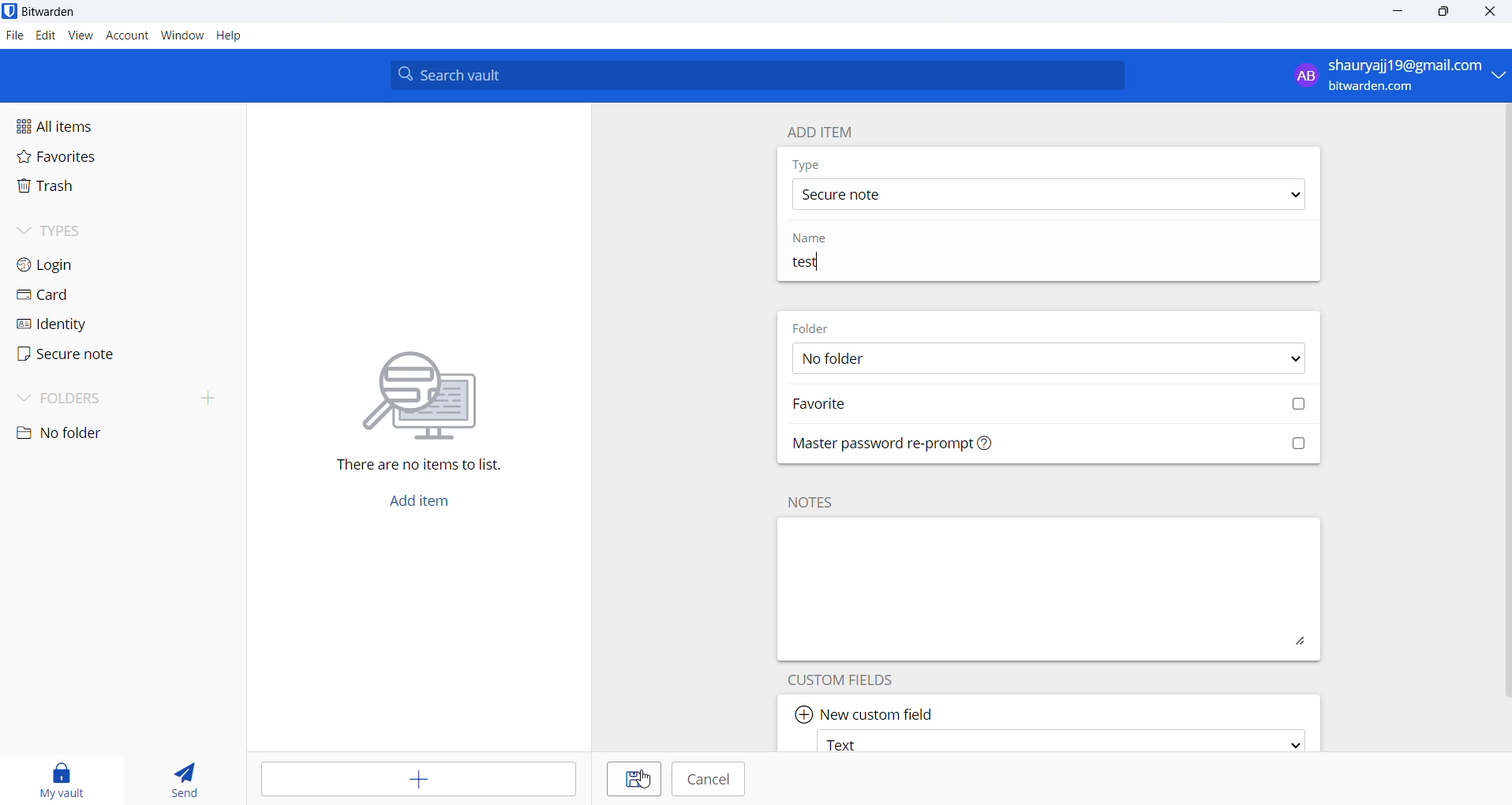 This screenshot has height=805, width=1512. Describe the element at coordinates (82, 36) in the screenshot. I see `view` at that location.